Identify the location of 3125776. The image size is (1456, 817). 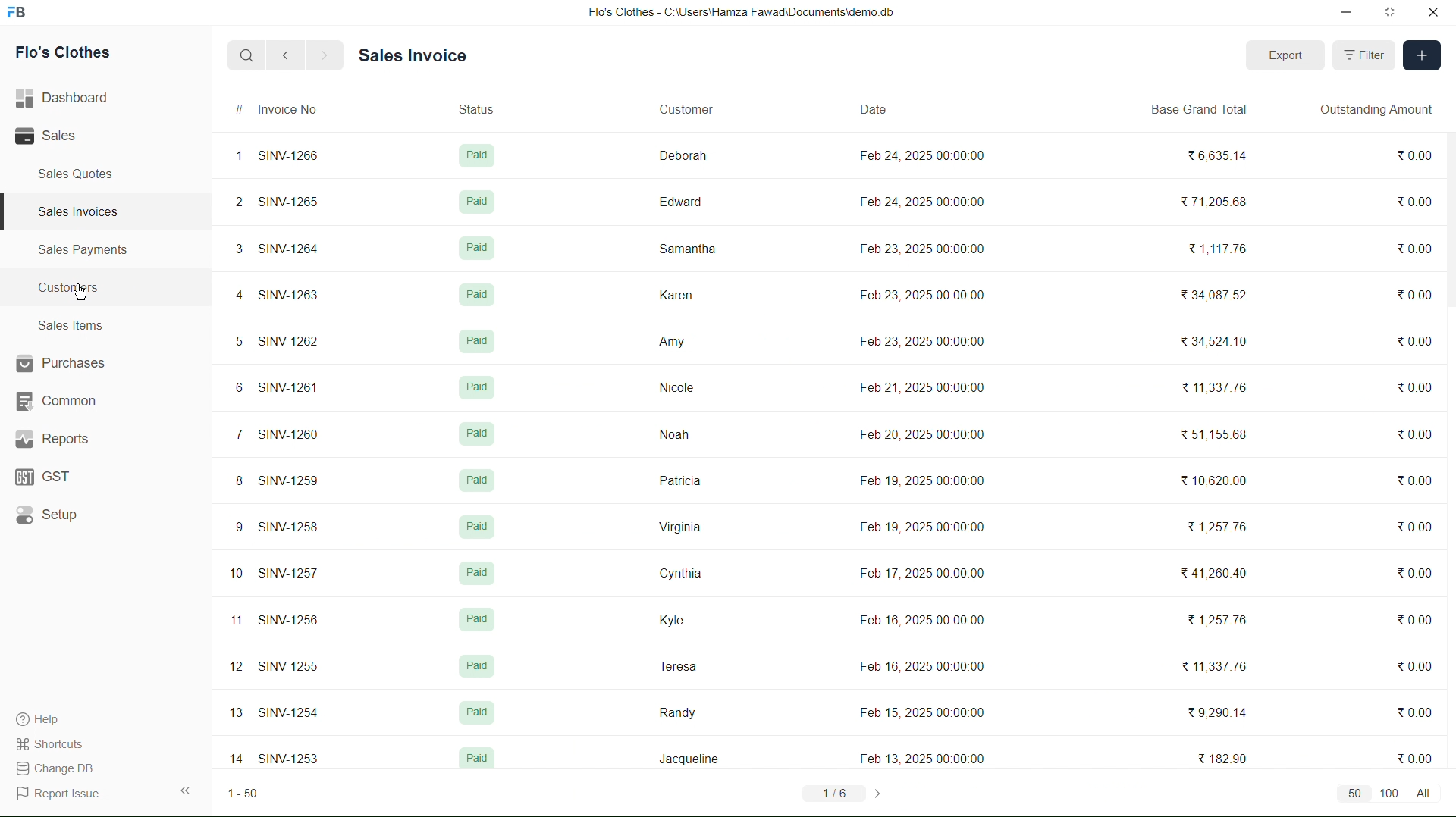
(1216, 618).